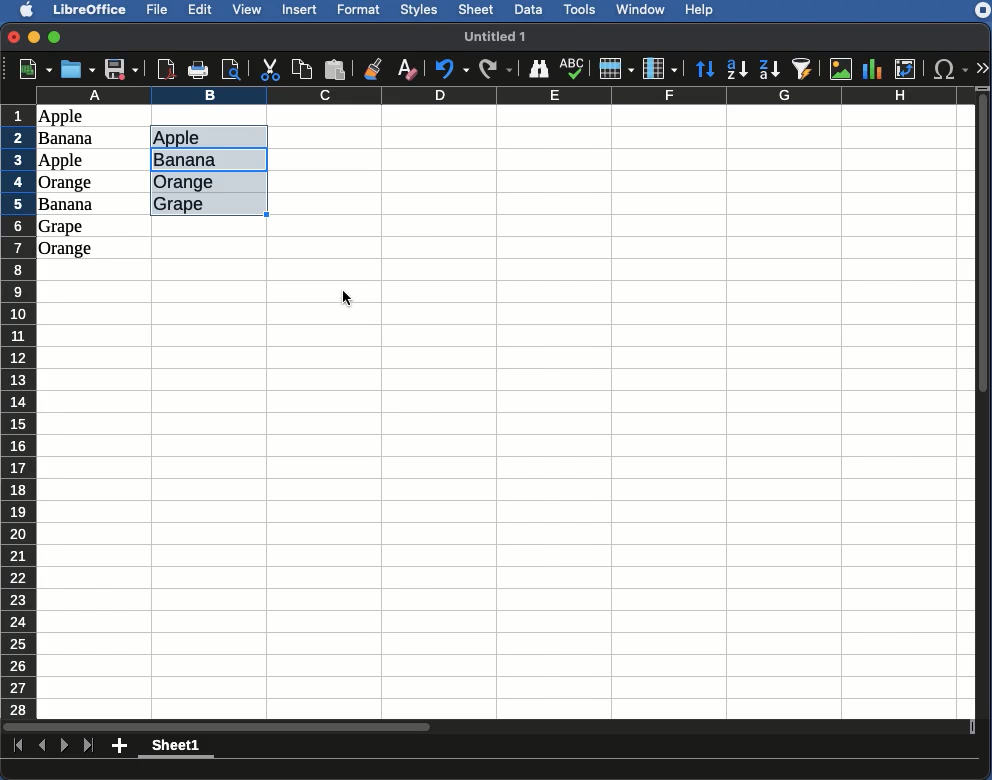 Image resolution: width=992 pixels, height=780 pixels. What do you see at coordinates (65, 748) in the screenshot?
I see `Next sheet` at bounding box center [65, 748].